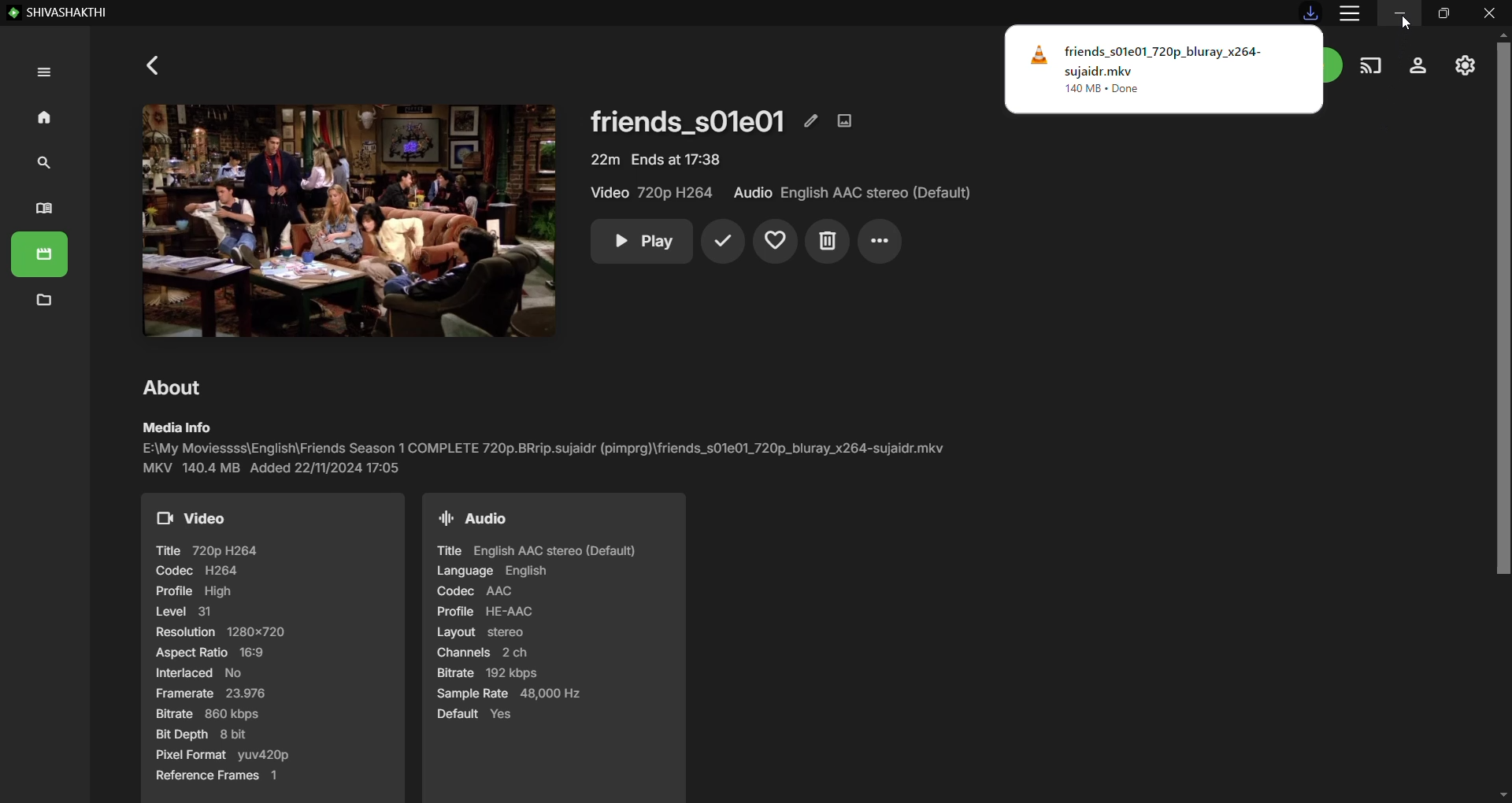 The height and width of the screenshot is (803, 1512). What do you see at coordinates (1406, 22) in the screenshot?
I see `Cursor` at bounding box center [1406, 22].